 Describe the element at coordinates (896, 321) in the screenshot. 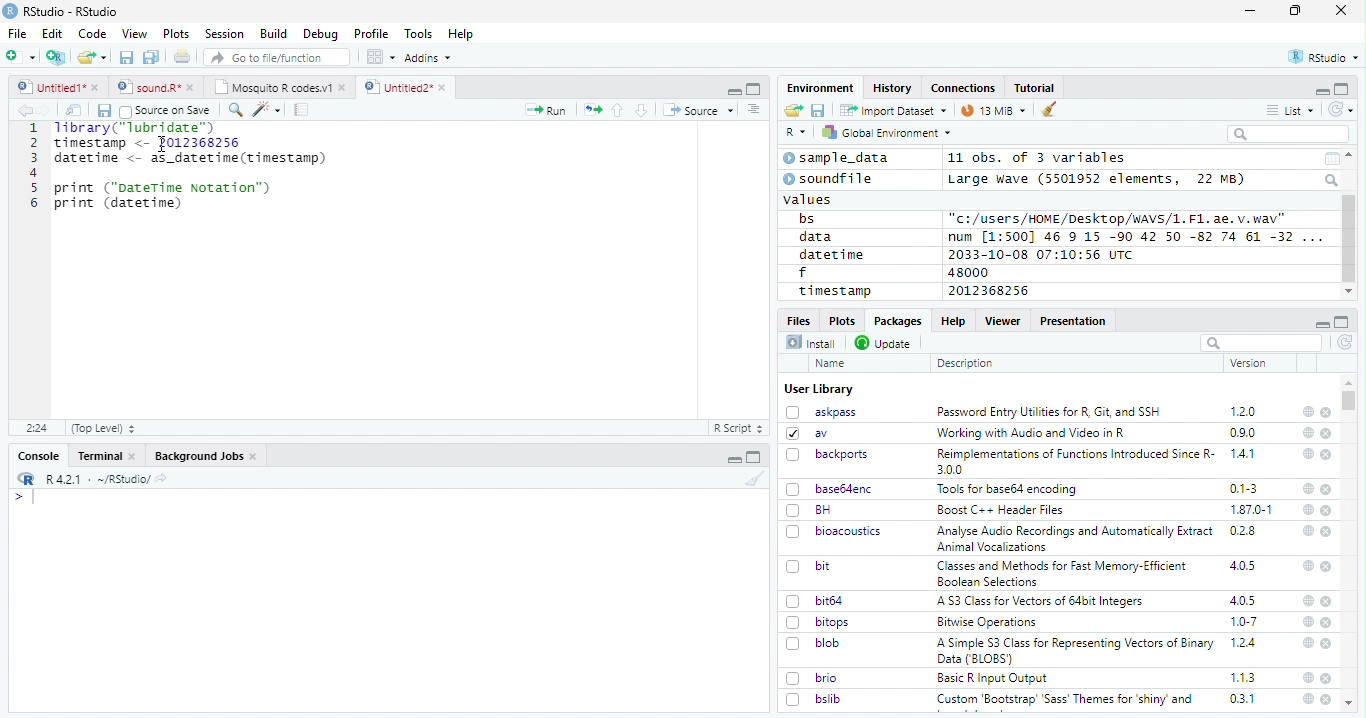

I see `Packages` at that location.